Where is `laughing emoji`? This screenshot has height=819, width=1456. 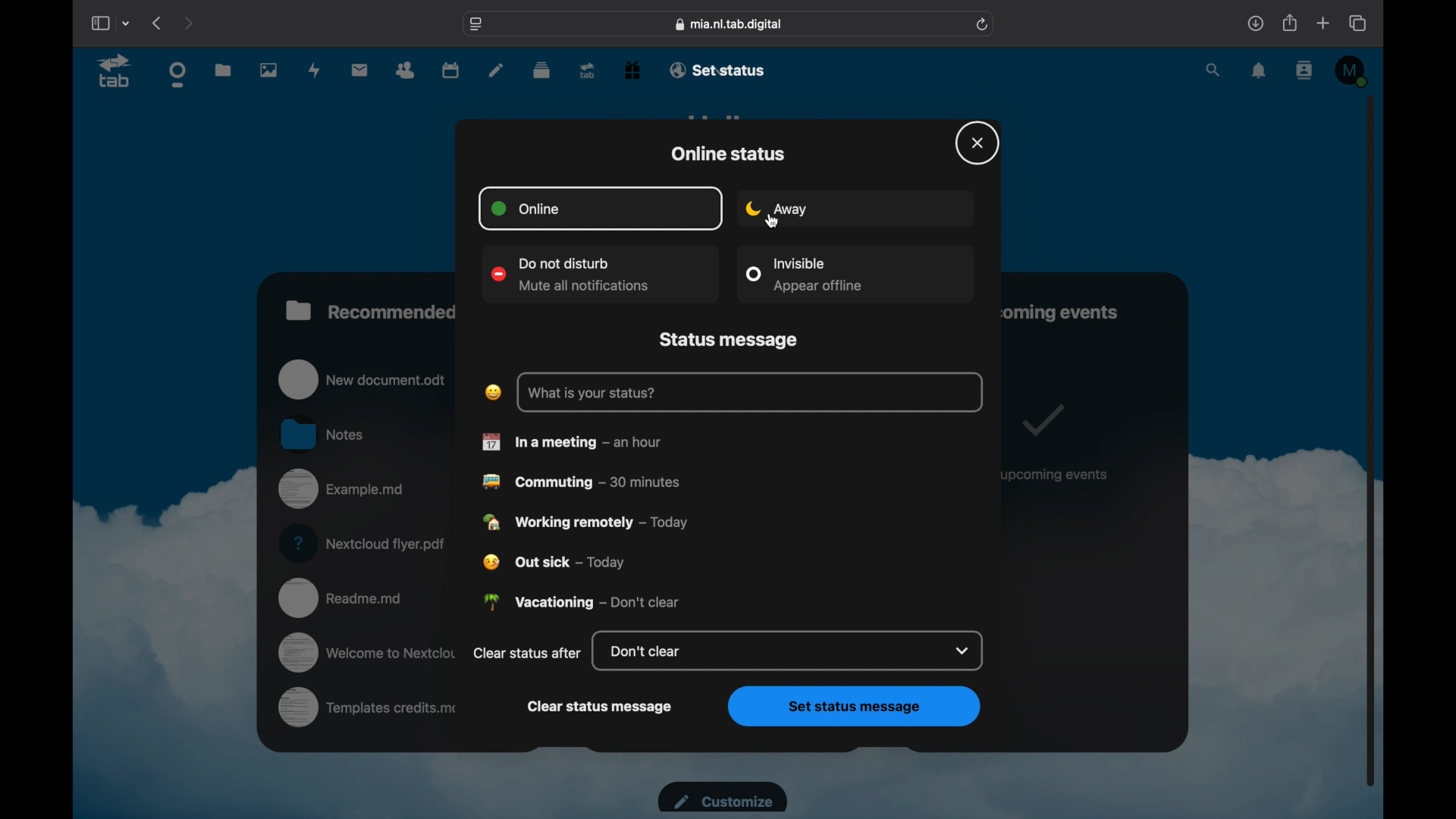
laughing emoji is located at coordinates (492, 391).